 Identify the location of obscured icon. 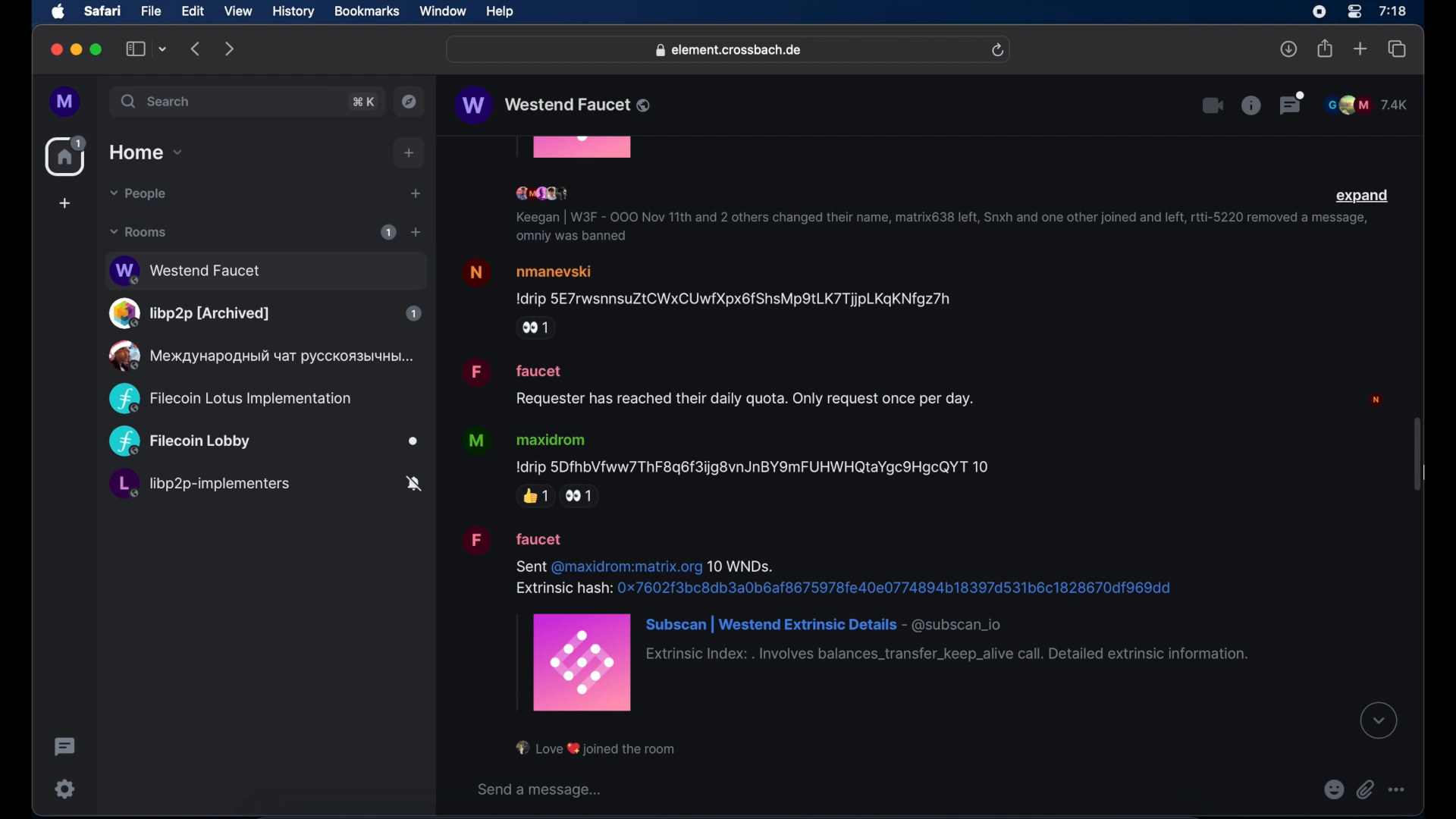
(583, 149).